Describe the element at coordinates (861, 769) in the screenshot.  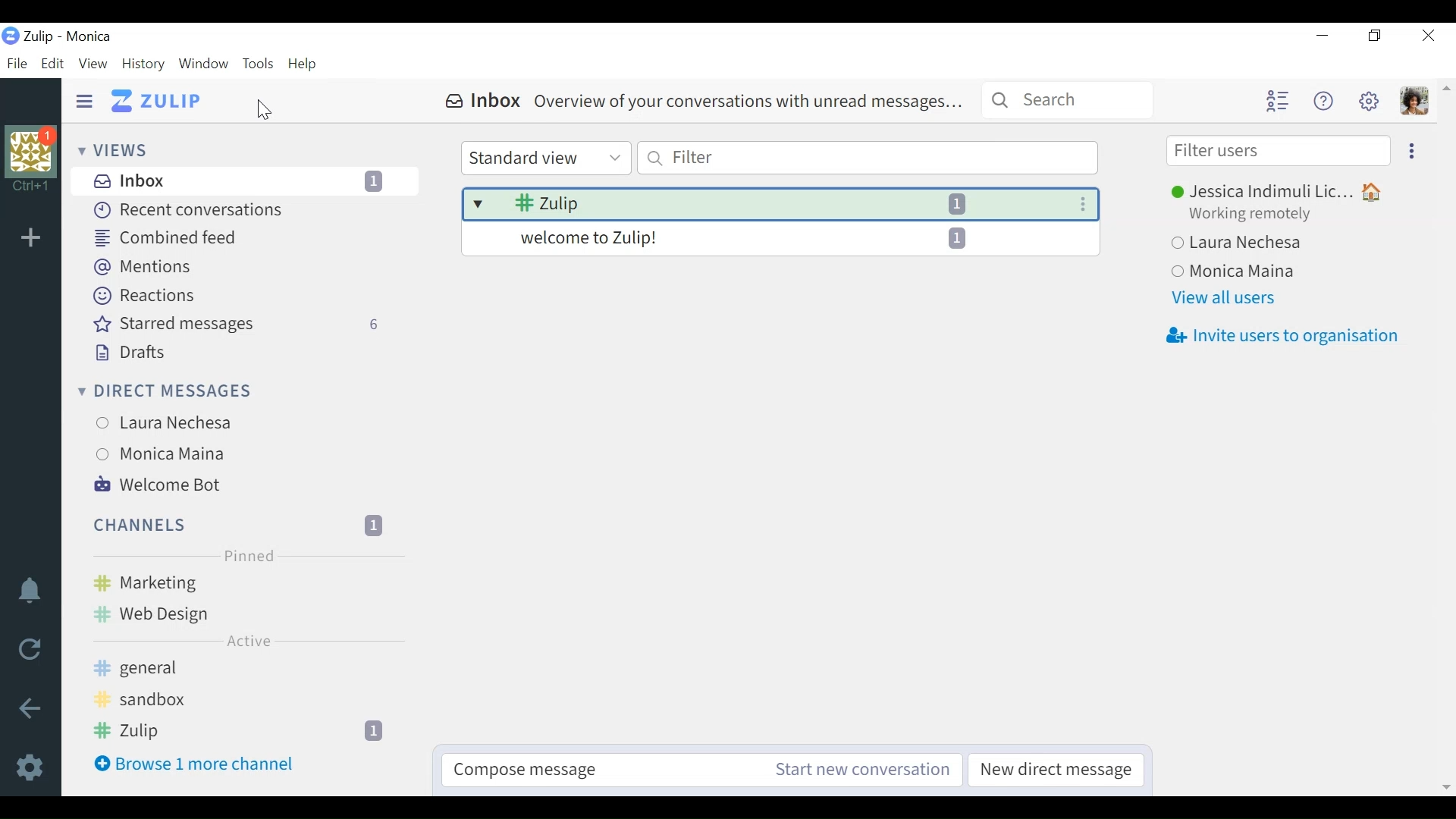
I see `Start new conversation` at that location.